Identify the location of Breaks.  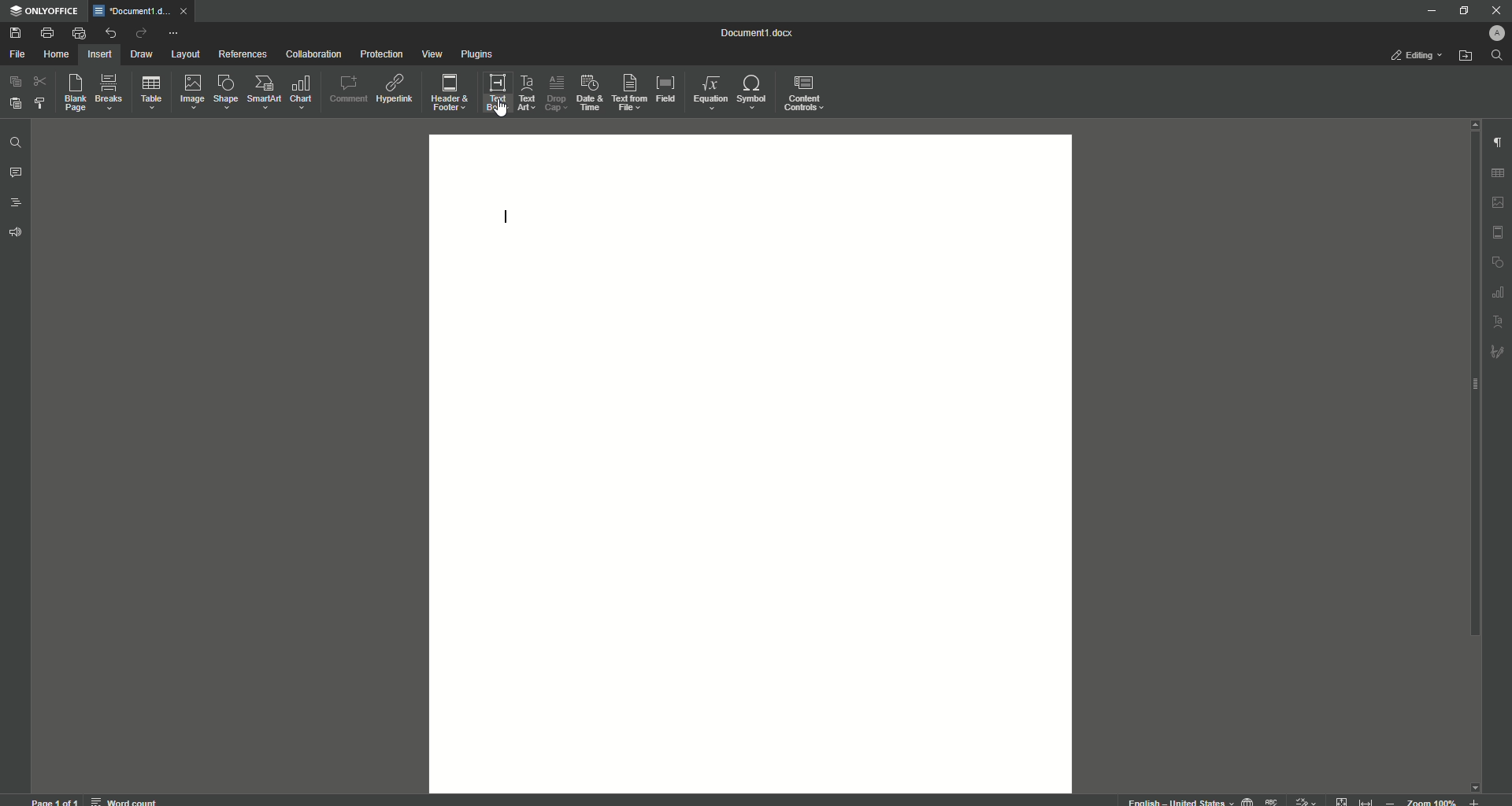
(109, 93).